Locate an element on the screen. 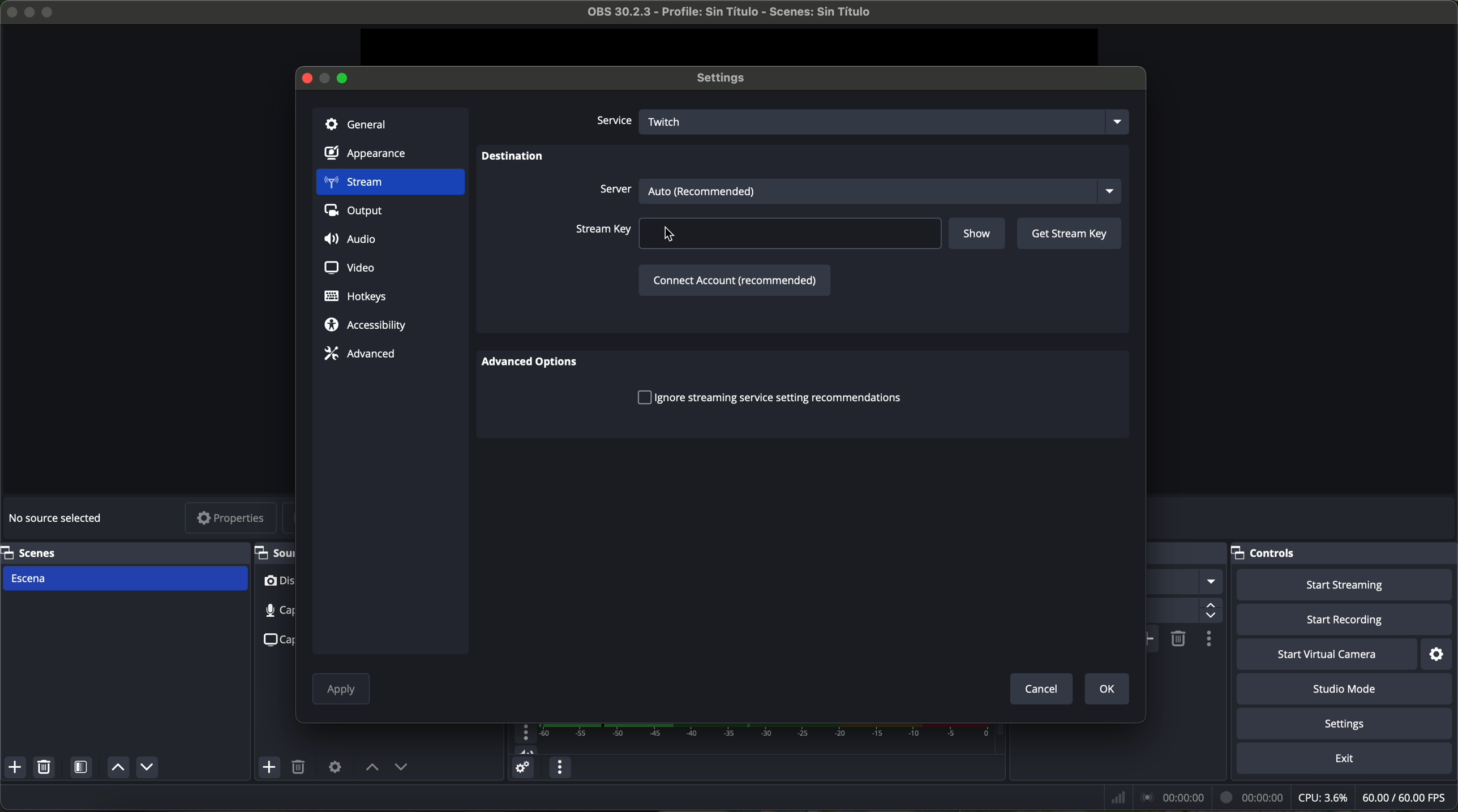 This screenshot has width=1458, height=812. service is located at coordinates (612, 122).